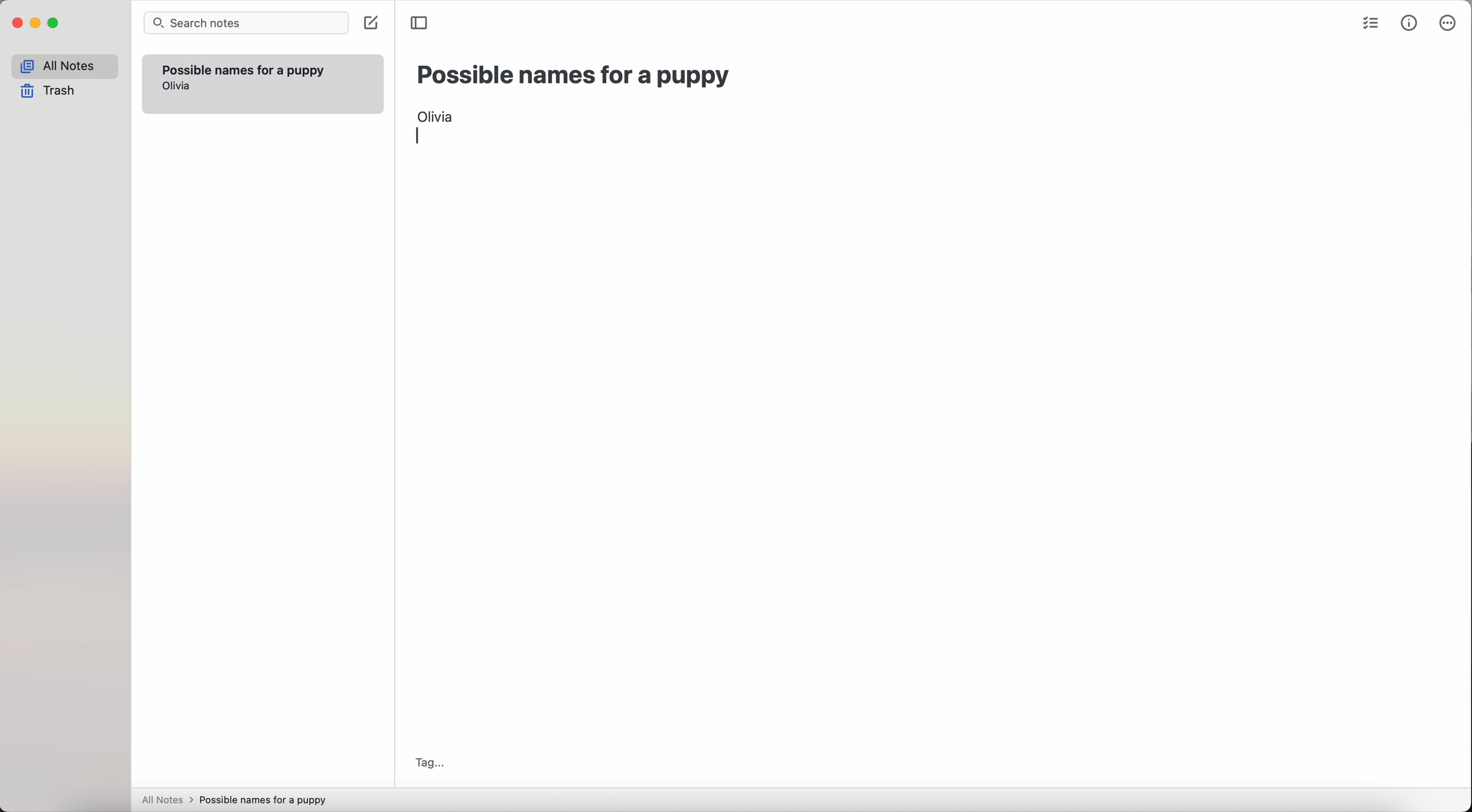 The height and width of the screenshot is (812, 1472). I want to click on close, so click(16, 25).